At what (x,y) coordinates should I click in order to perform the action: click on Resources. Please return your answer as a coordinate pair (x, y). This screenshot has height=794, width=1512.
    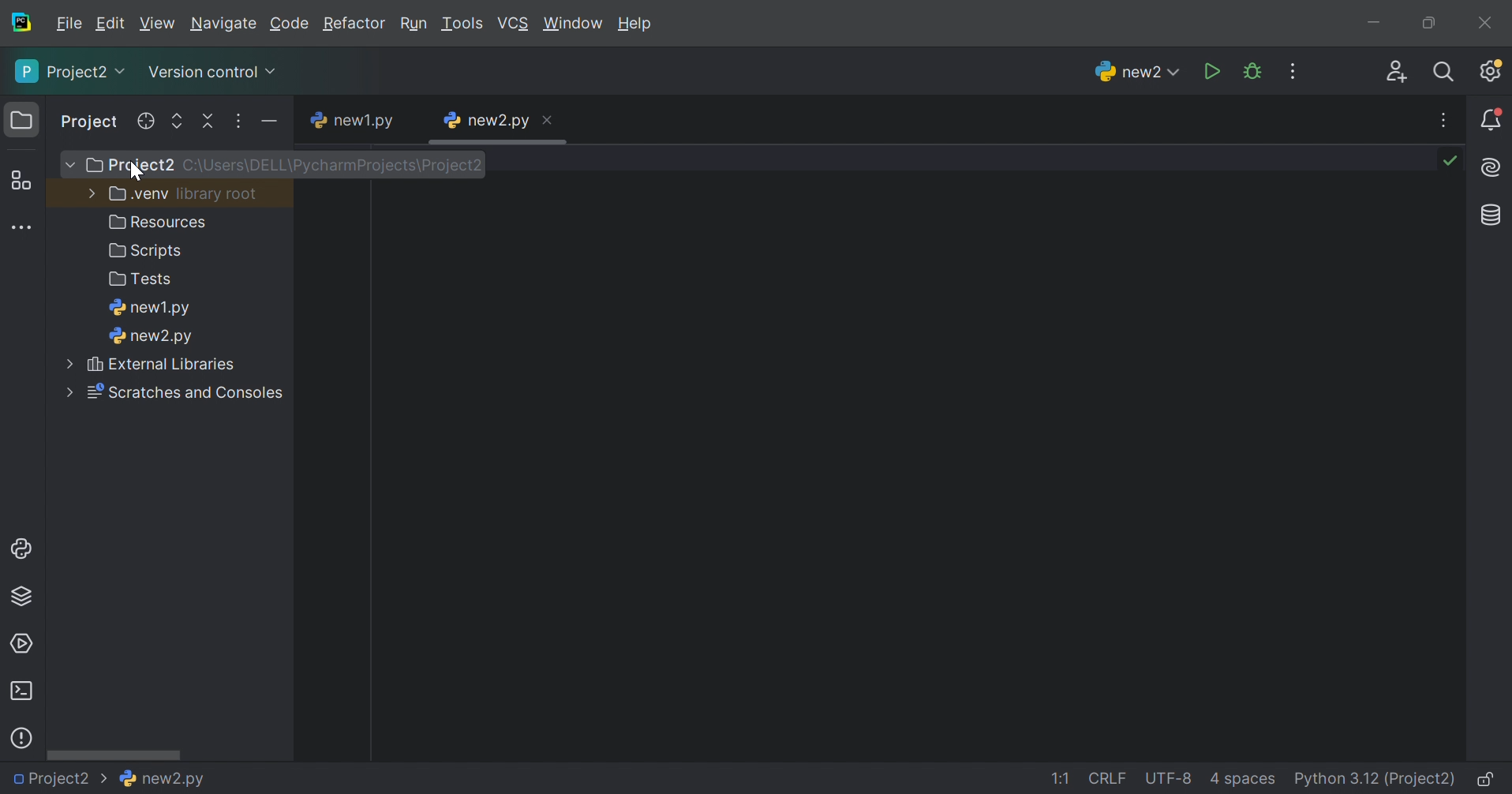
    Looking at the image, I should click on (161, 222).